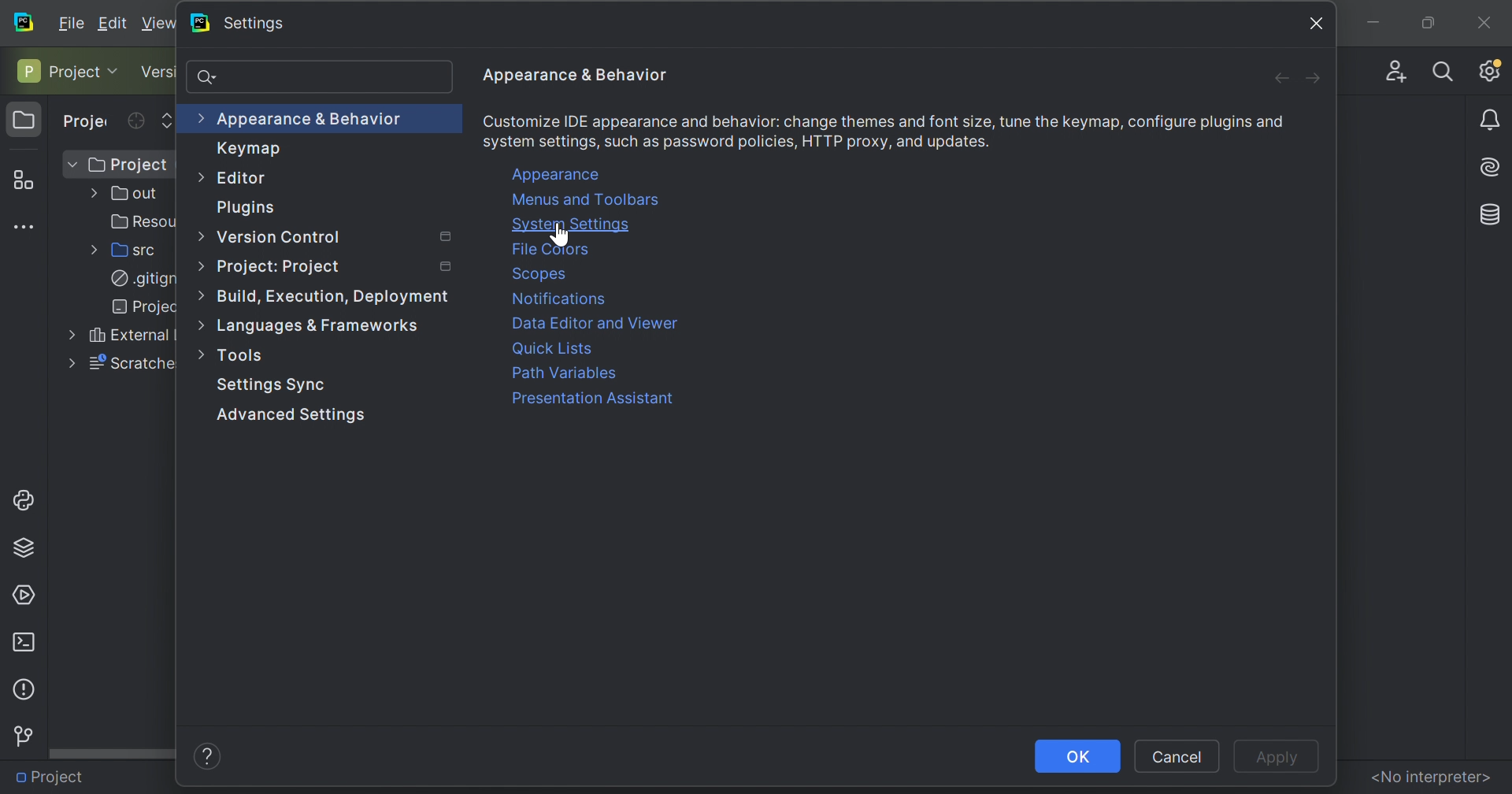 The width and height of the screenshot is (1512, 794). Describe the element at coordinates (208, 755) in the screenshot. I see `Show help contents` at that location.